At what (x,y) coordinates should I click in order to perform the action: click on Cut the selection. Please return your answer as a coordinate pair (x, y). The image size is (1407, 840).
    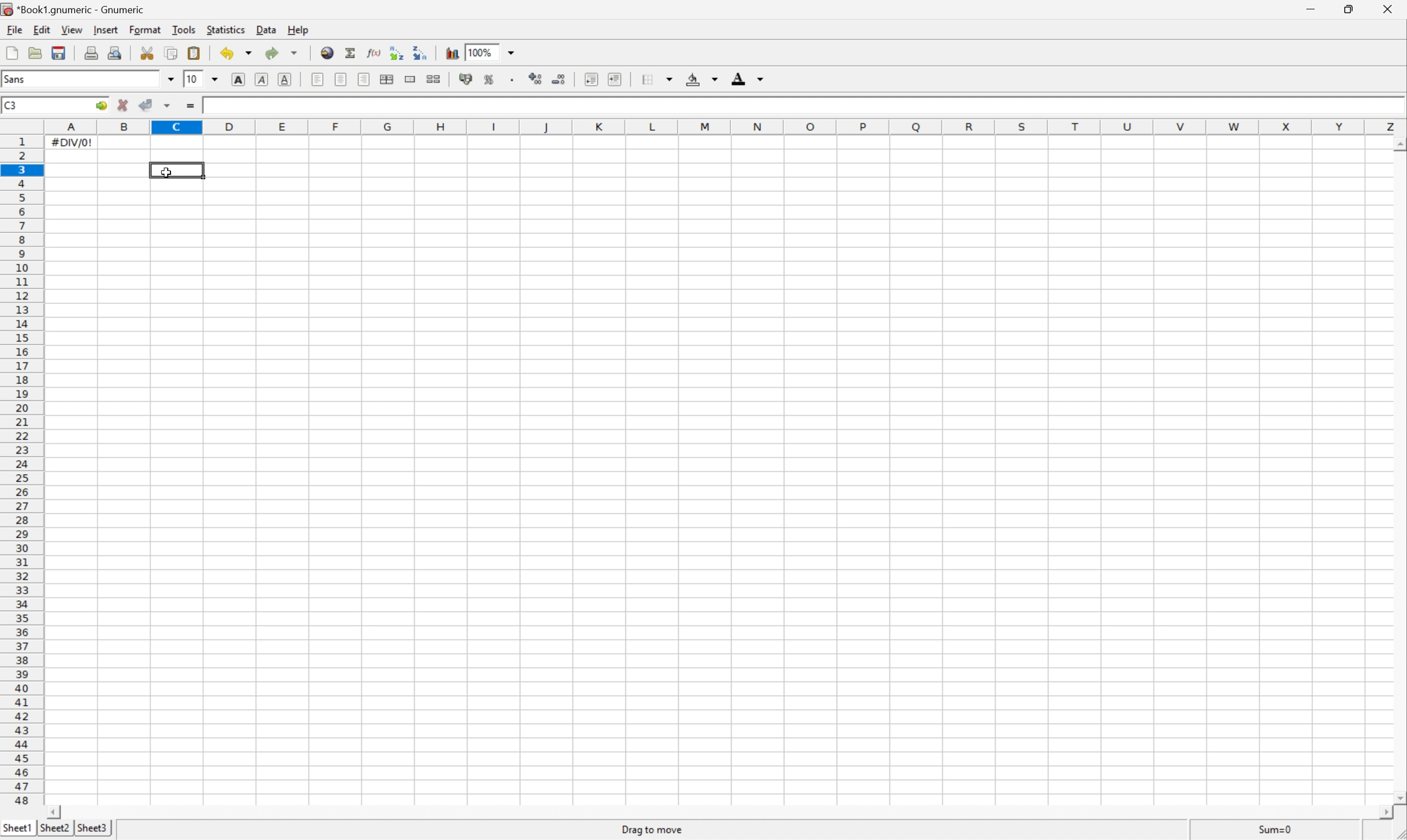
    Looking at the image, I should click on (148, 52).